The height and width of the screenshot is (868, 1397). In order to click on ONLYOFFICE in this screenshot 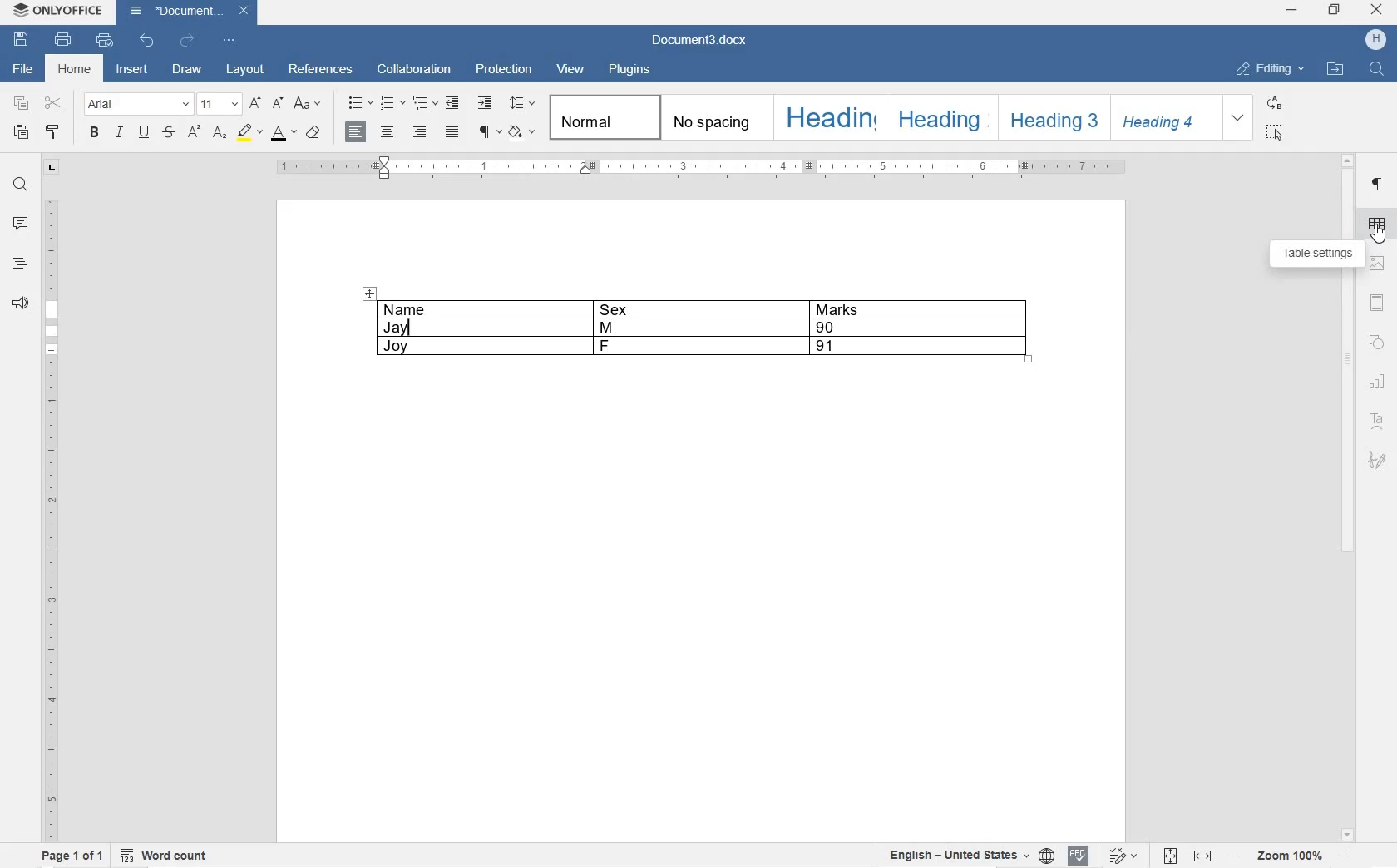, I will do `click(72, 12)`.